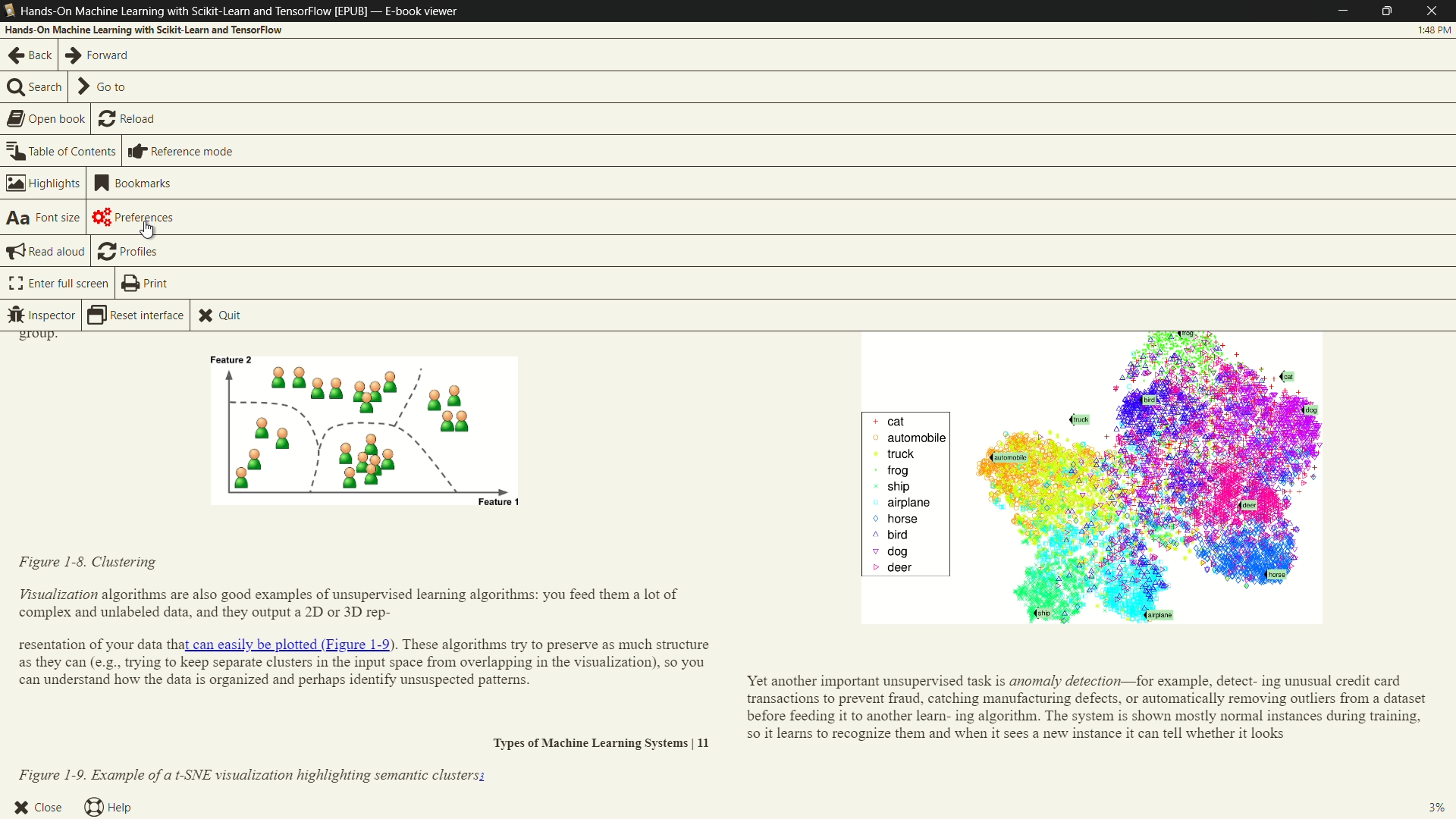 Image resolution: width=1456 pixels, height=819 pixels. Describe the element at coordinates (103, 87) in the screenshot. I see `go to` at that location.